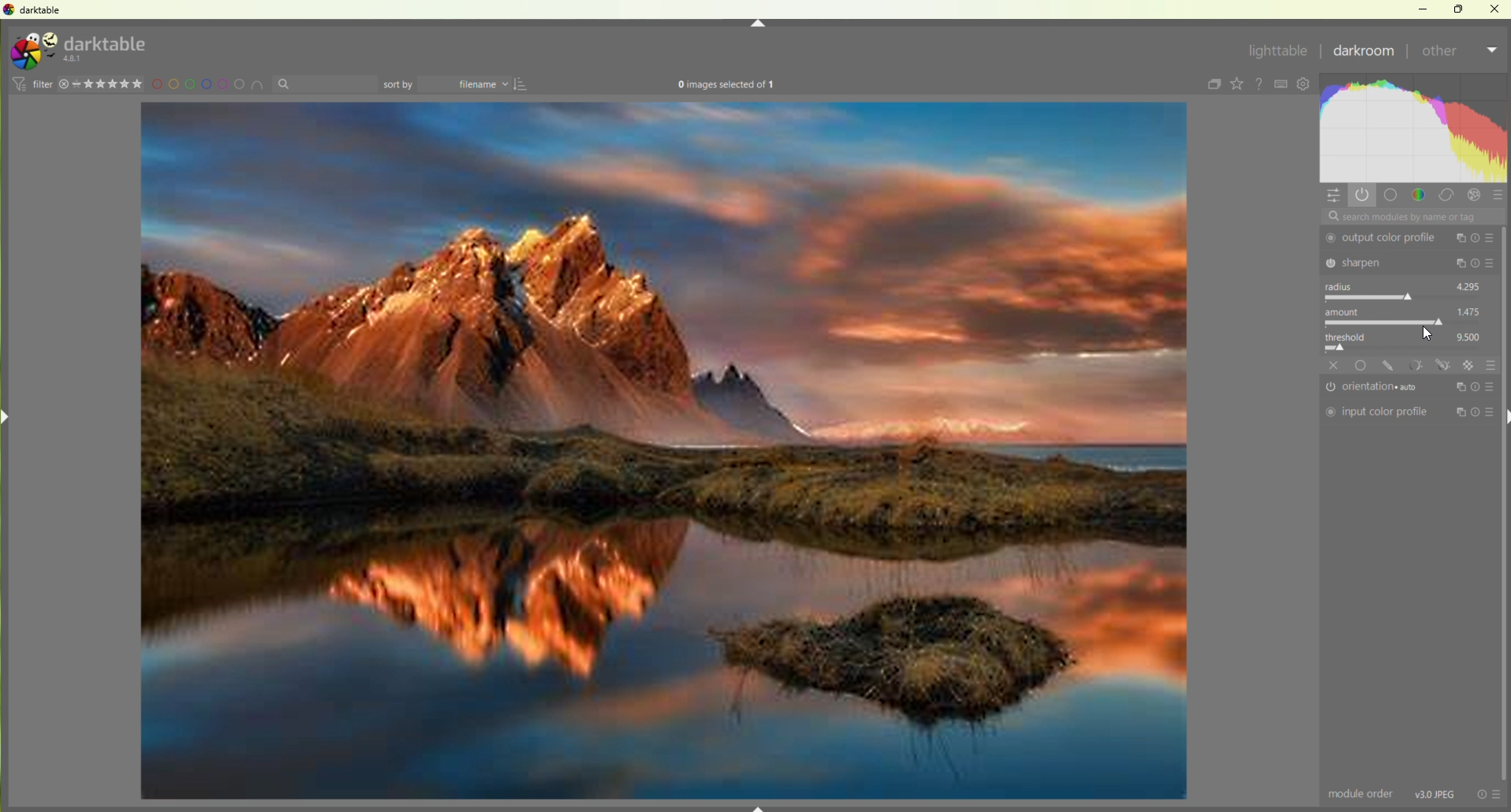  What do you see at coordinates (399, 84) in the screenshot?
I see `sort by` at bounding box center [399, 84].